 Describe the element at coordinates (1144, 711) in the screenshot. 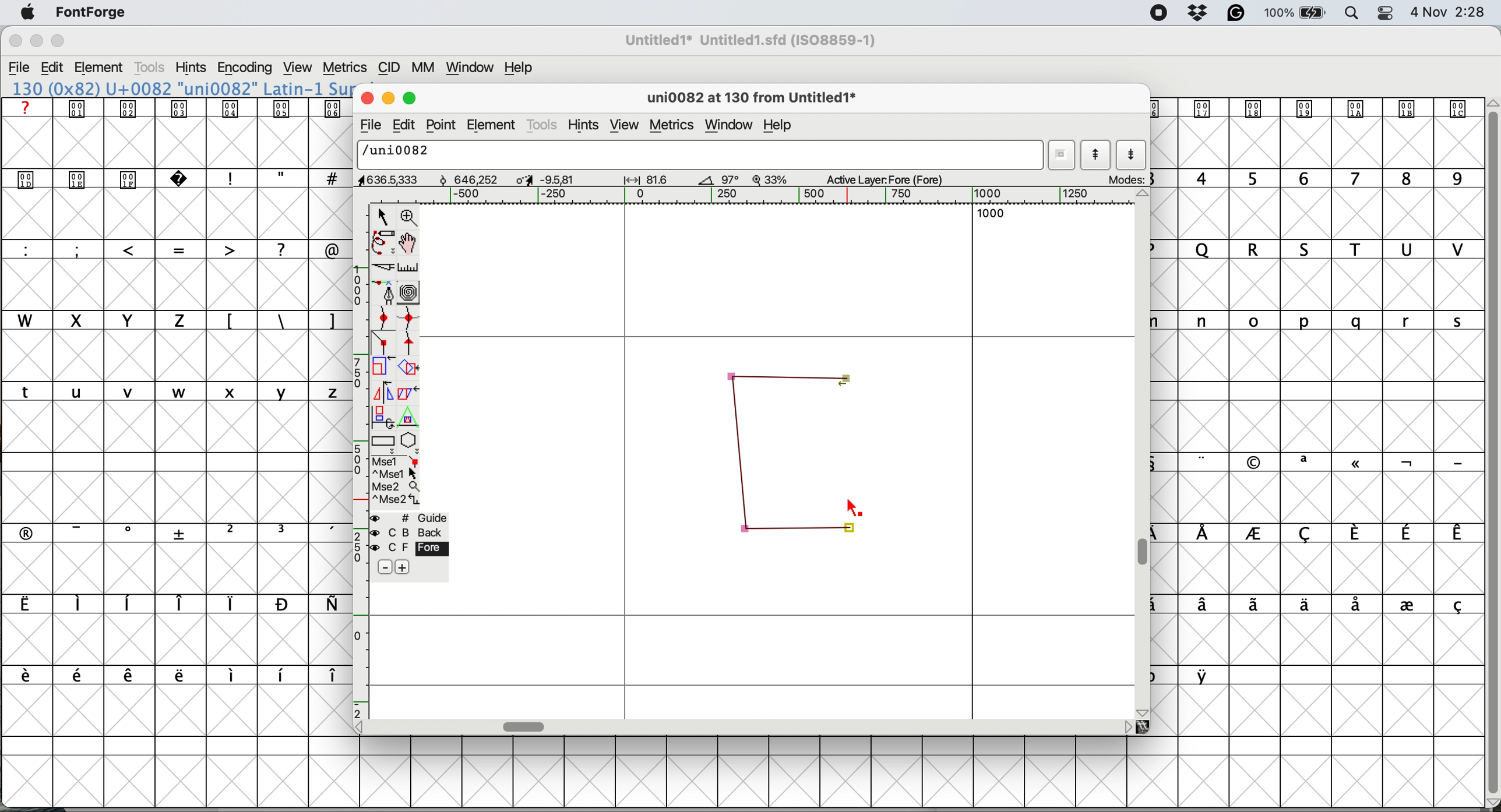

I see `scroll button` at that location.